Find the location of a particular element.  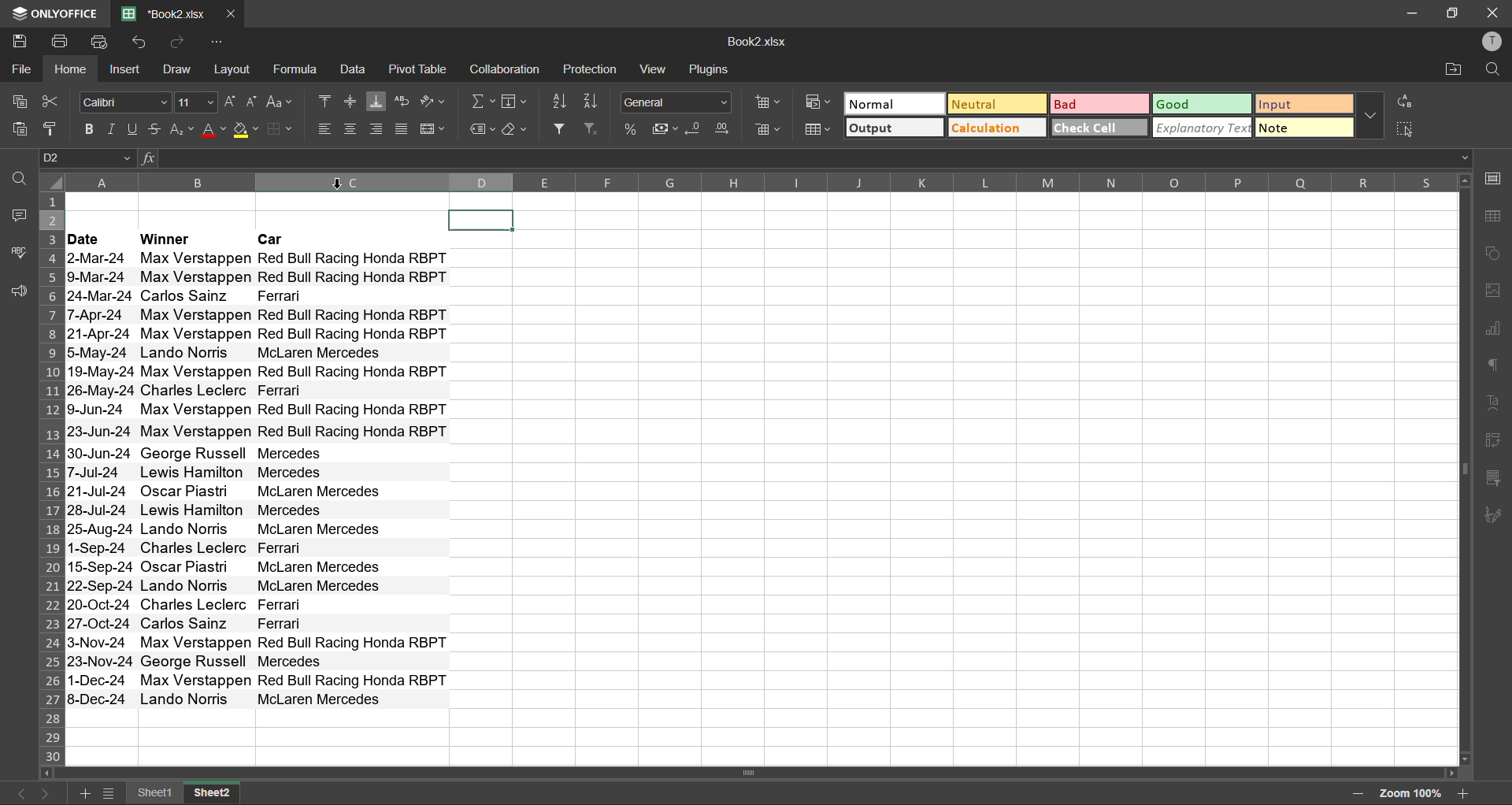

shapes is located at coordinates (1492, 254).